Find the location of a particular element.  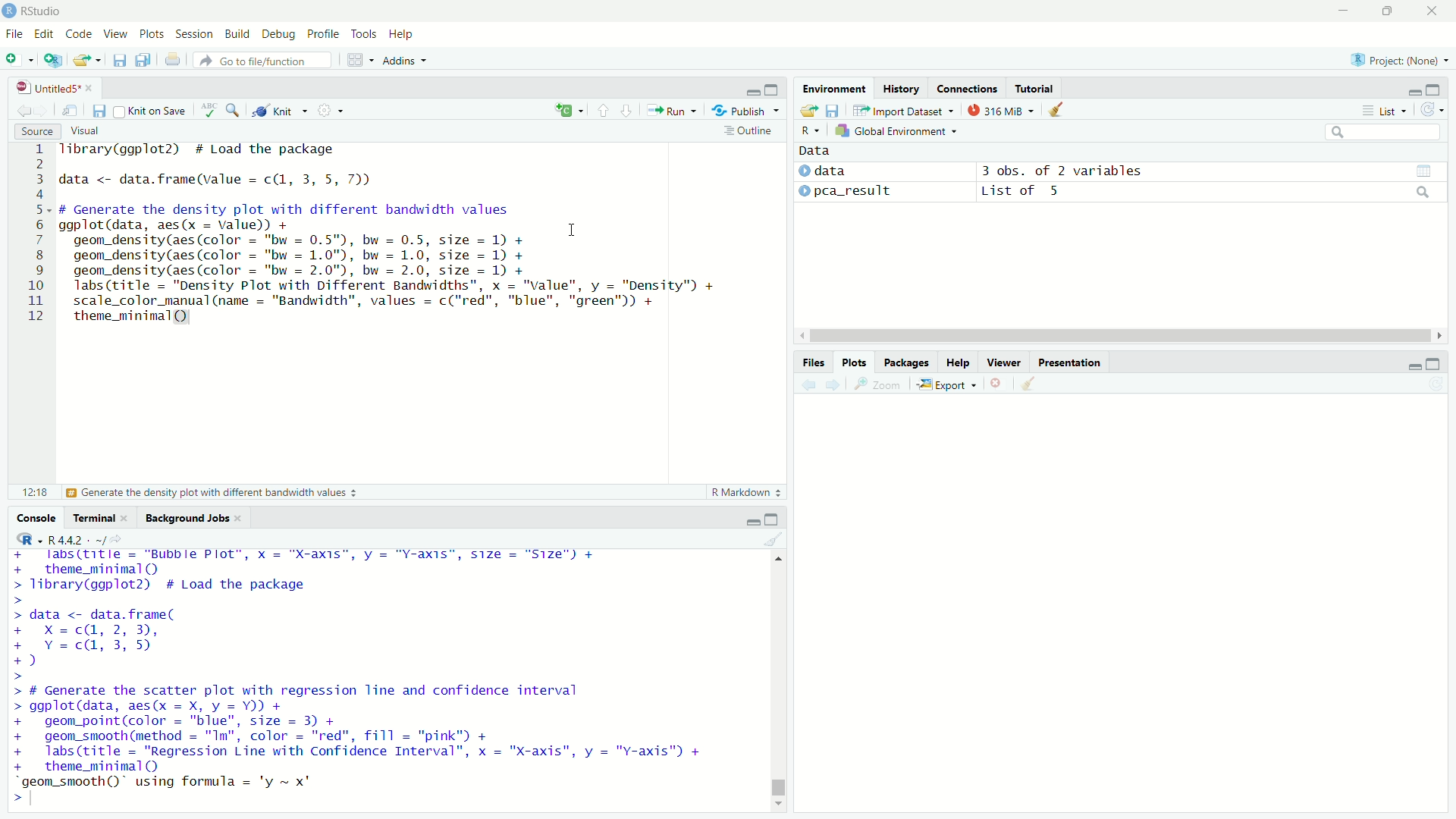

Go forward to next source location is located at coordinates (39, 110).